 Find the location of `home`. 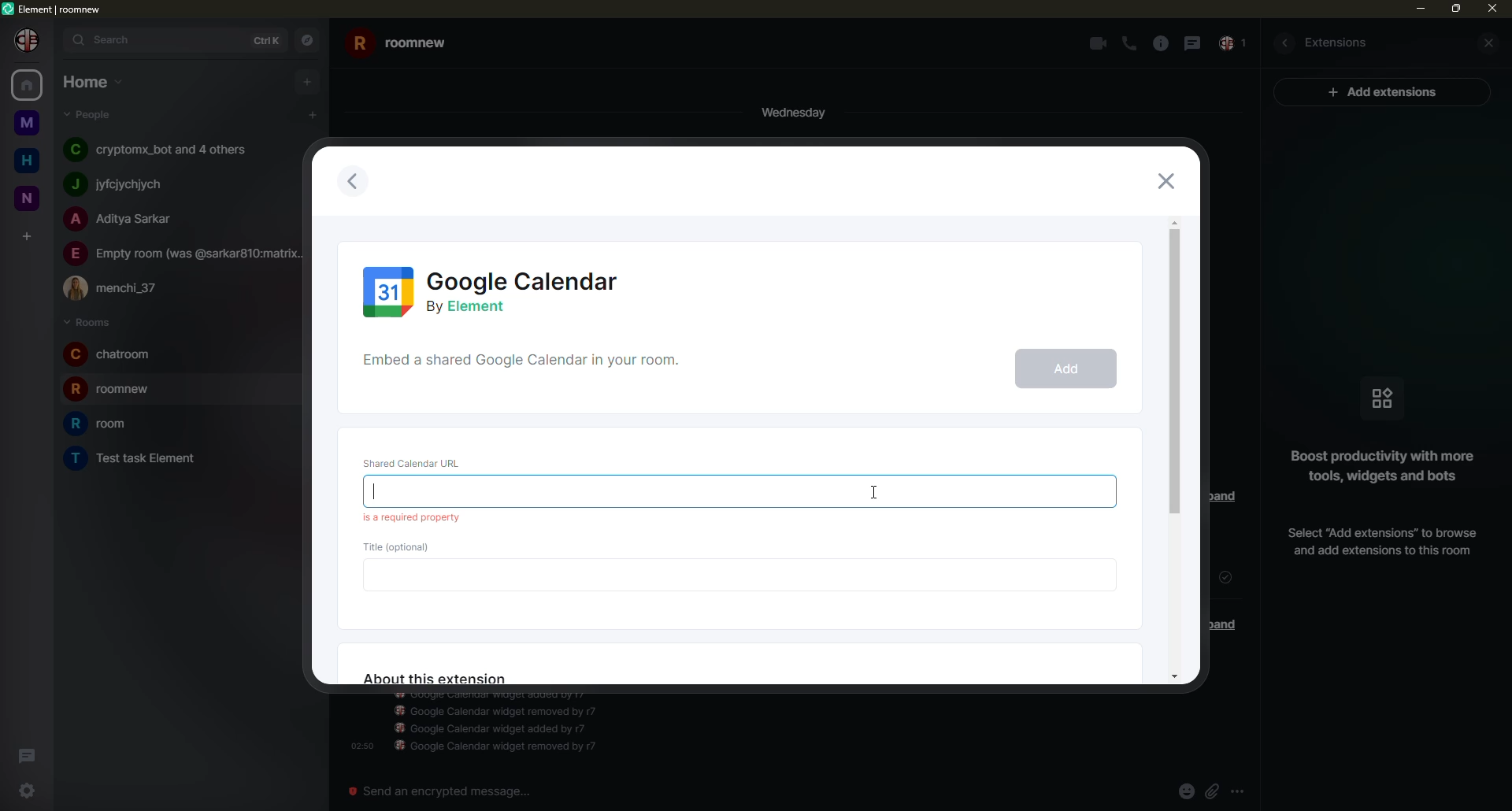

home is located at coordinates (27, 85).